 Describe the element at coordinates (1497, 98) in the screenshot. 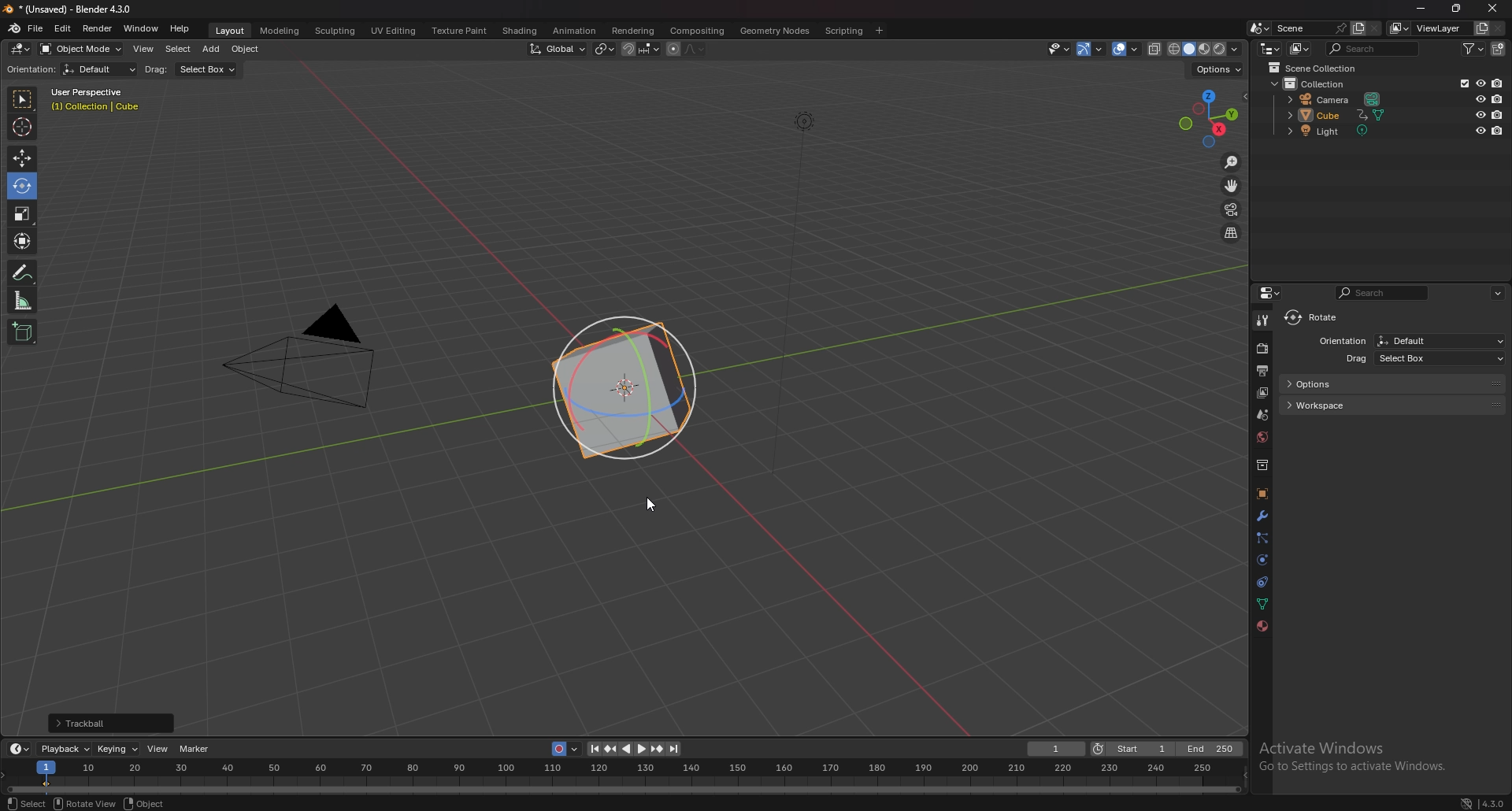

I see `disable in render` at that location.